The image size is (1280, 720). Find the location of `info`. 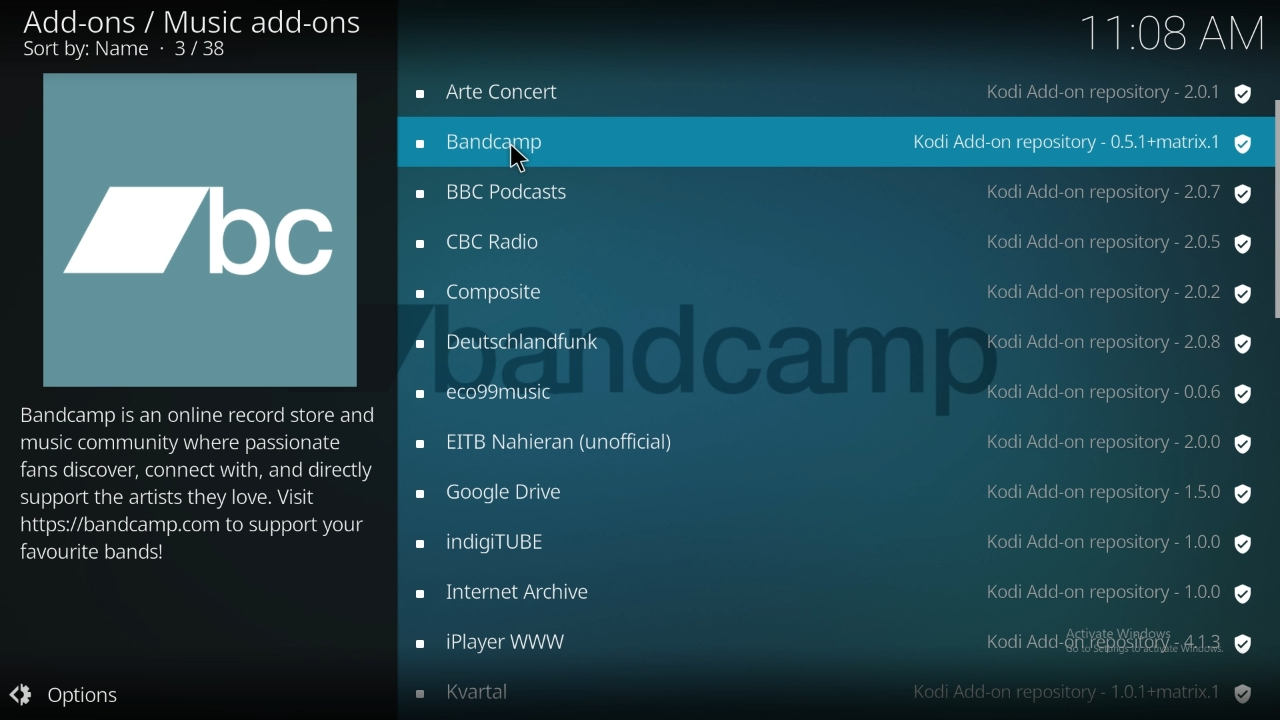

info is located at coordinates (199, 482).